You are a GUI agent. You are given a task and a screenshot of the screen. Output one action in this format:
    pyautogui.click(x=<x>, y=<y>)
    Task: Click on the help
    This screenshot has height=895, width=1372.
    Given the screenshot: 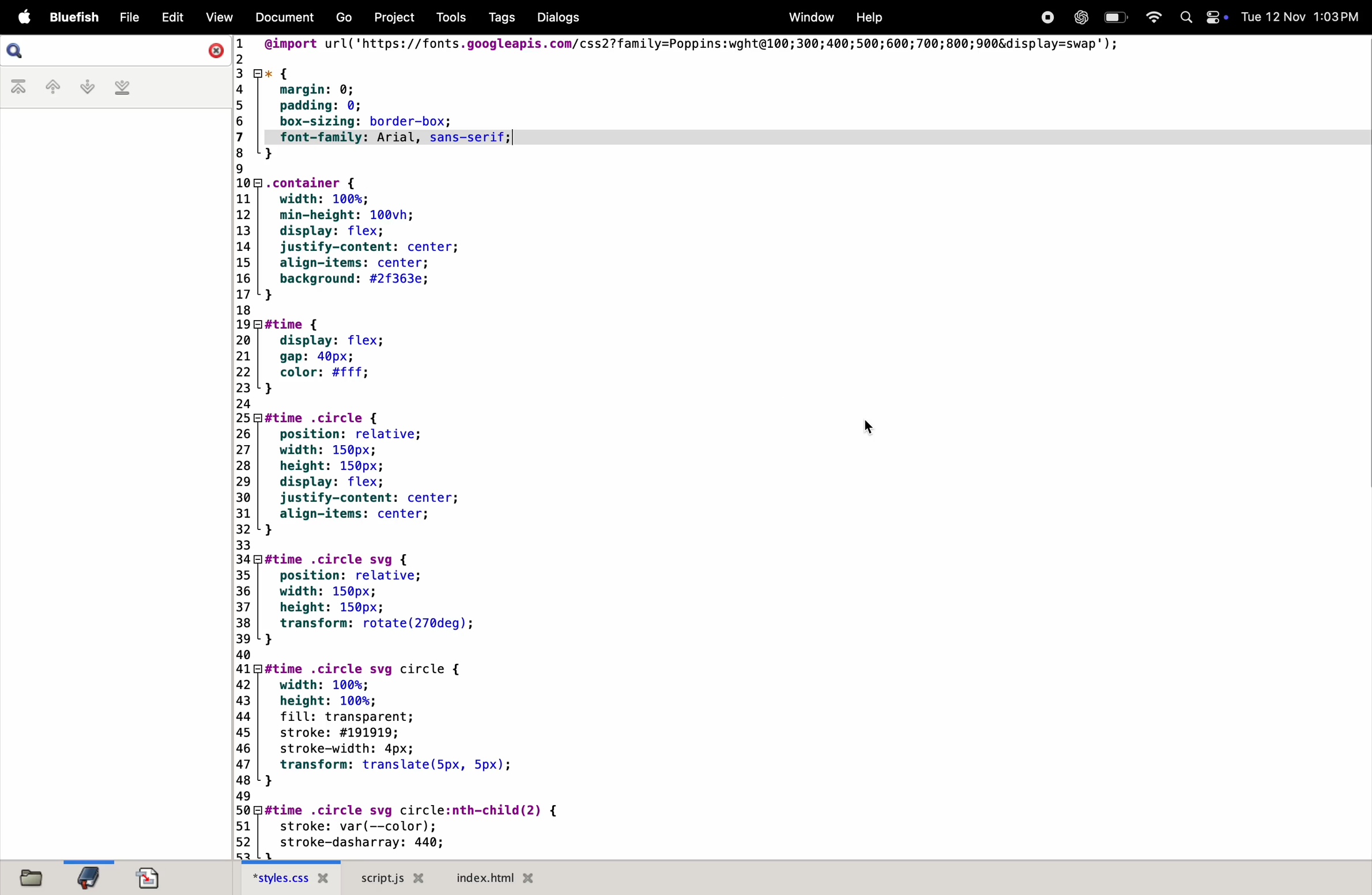 What is the action you would take?
    pyautogui.click(x=873, y=16)
    